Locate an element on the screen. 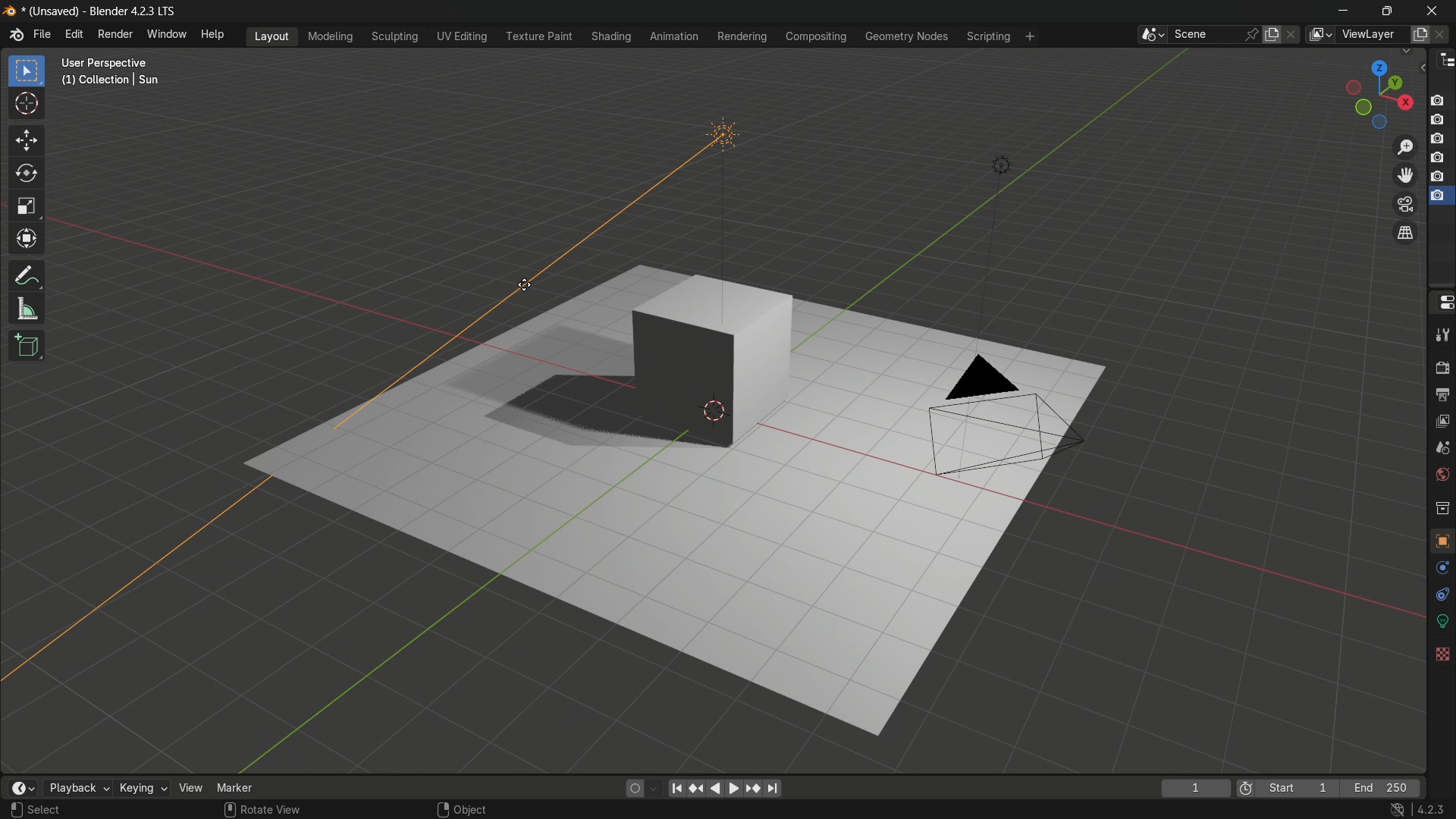 The width and height of the screenshot is (1456, 819). User Perspective is located at coordinates (109, 63).